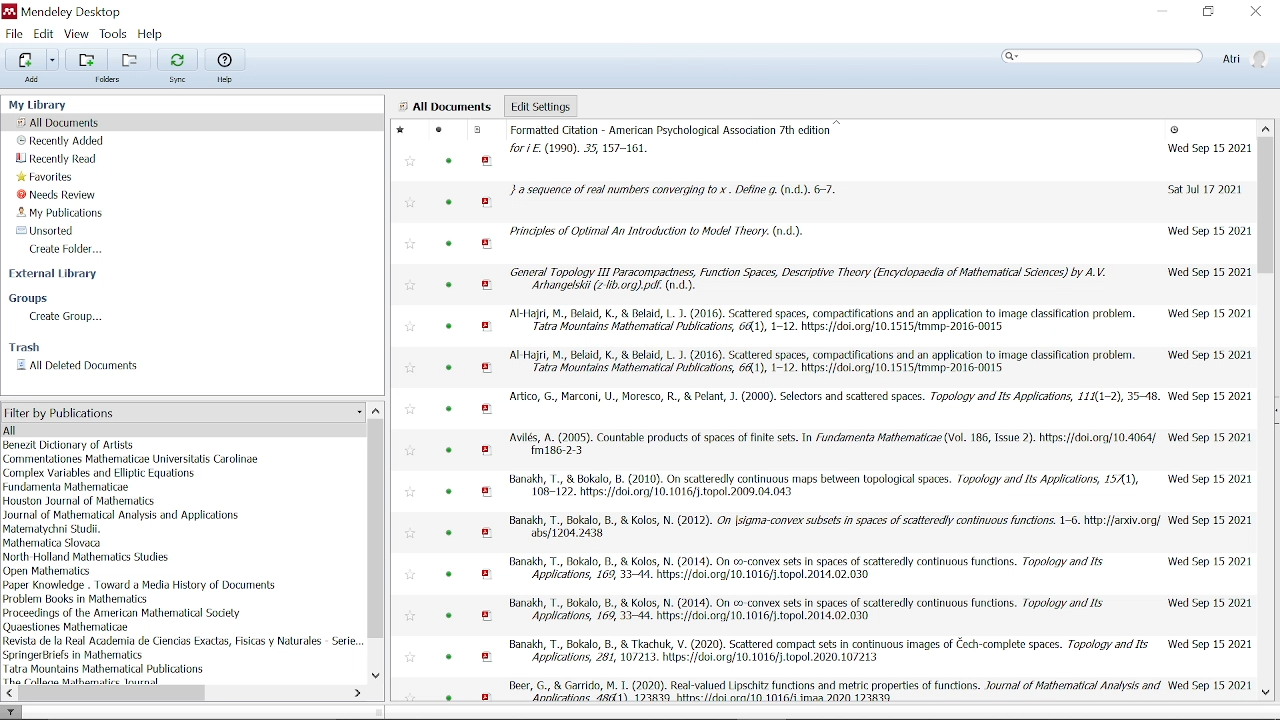  What do you see at coordinates (113, 33) in the screenshot?
I see `Tools` at bounding box center [113, 33].